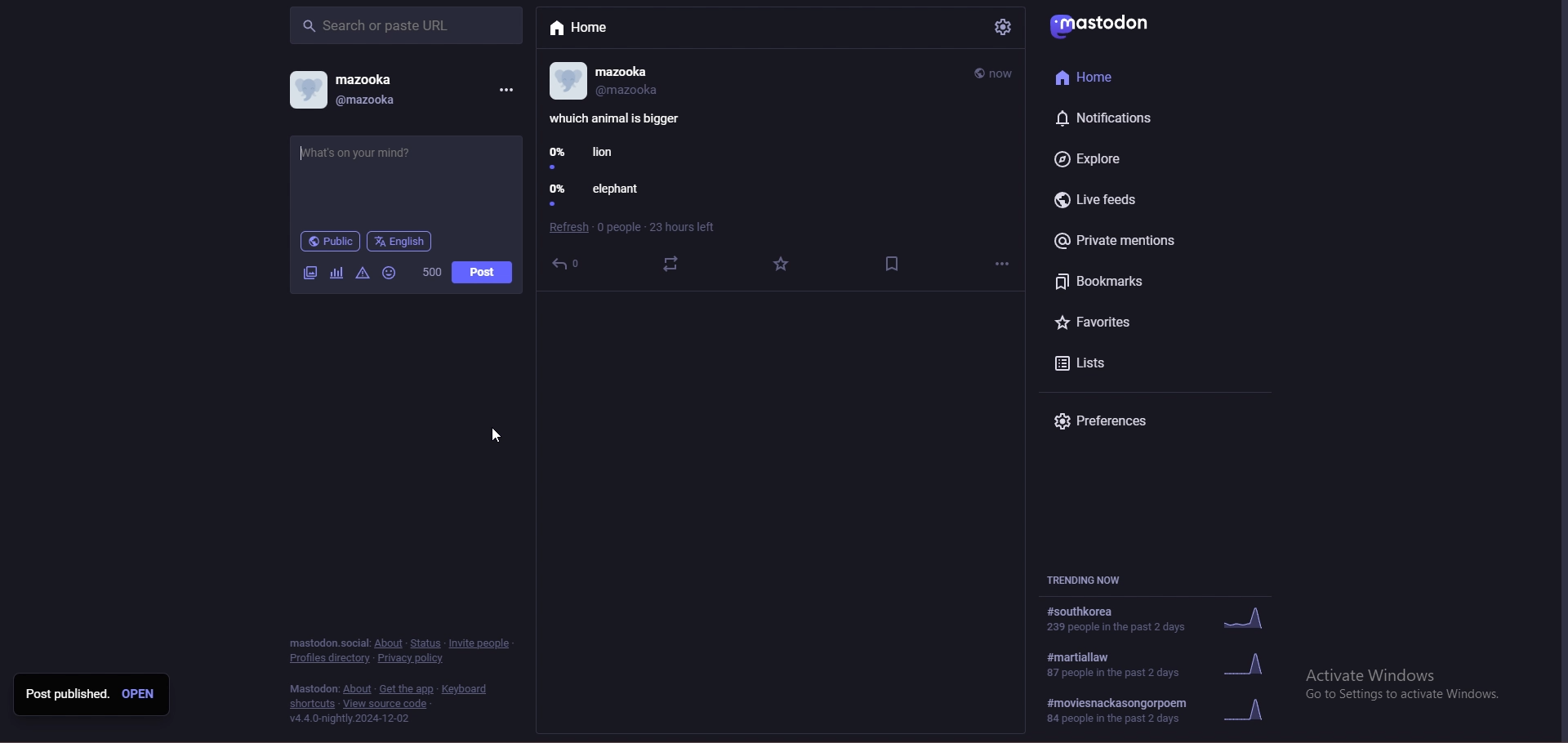  Describe the element at coordinates (390, 643) in the screenshot. I see `about` at that location.